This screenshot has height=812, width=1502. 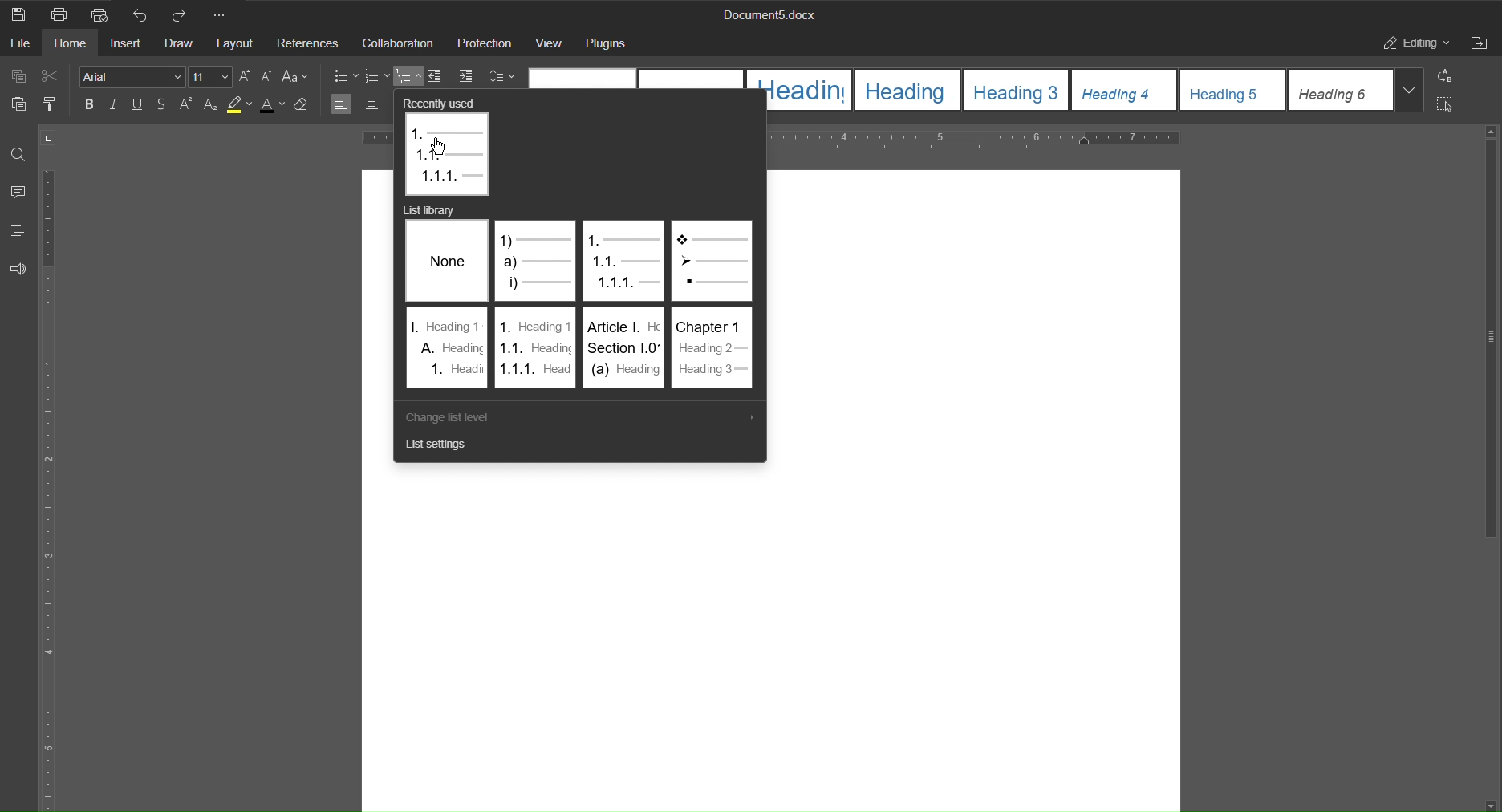 I want to click on Superscript, so click(x=188, y=104).